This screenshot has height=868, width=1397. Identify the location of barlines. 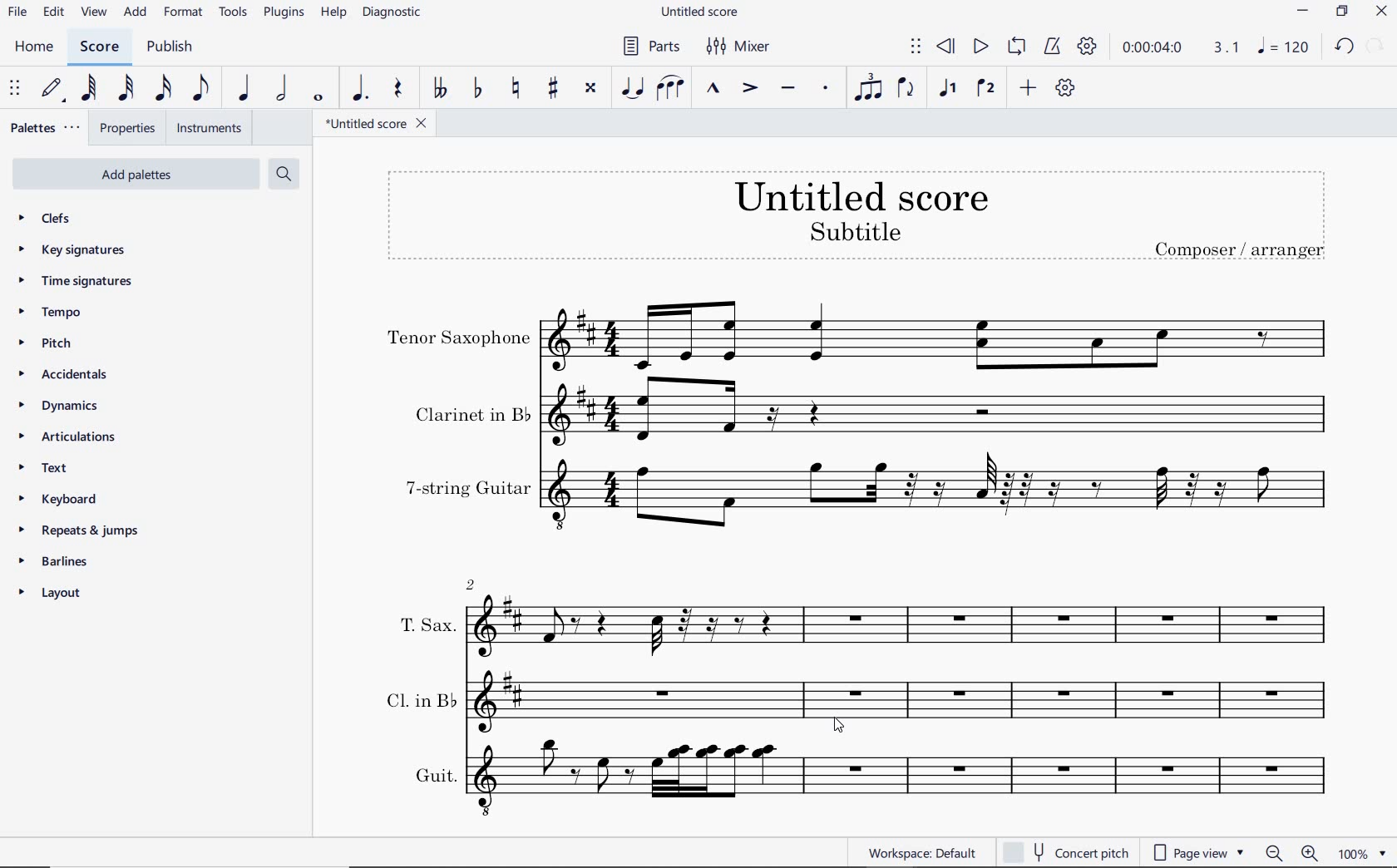
(61, 560).